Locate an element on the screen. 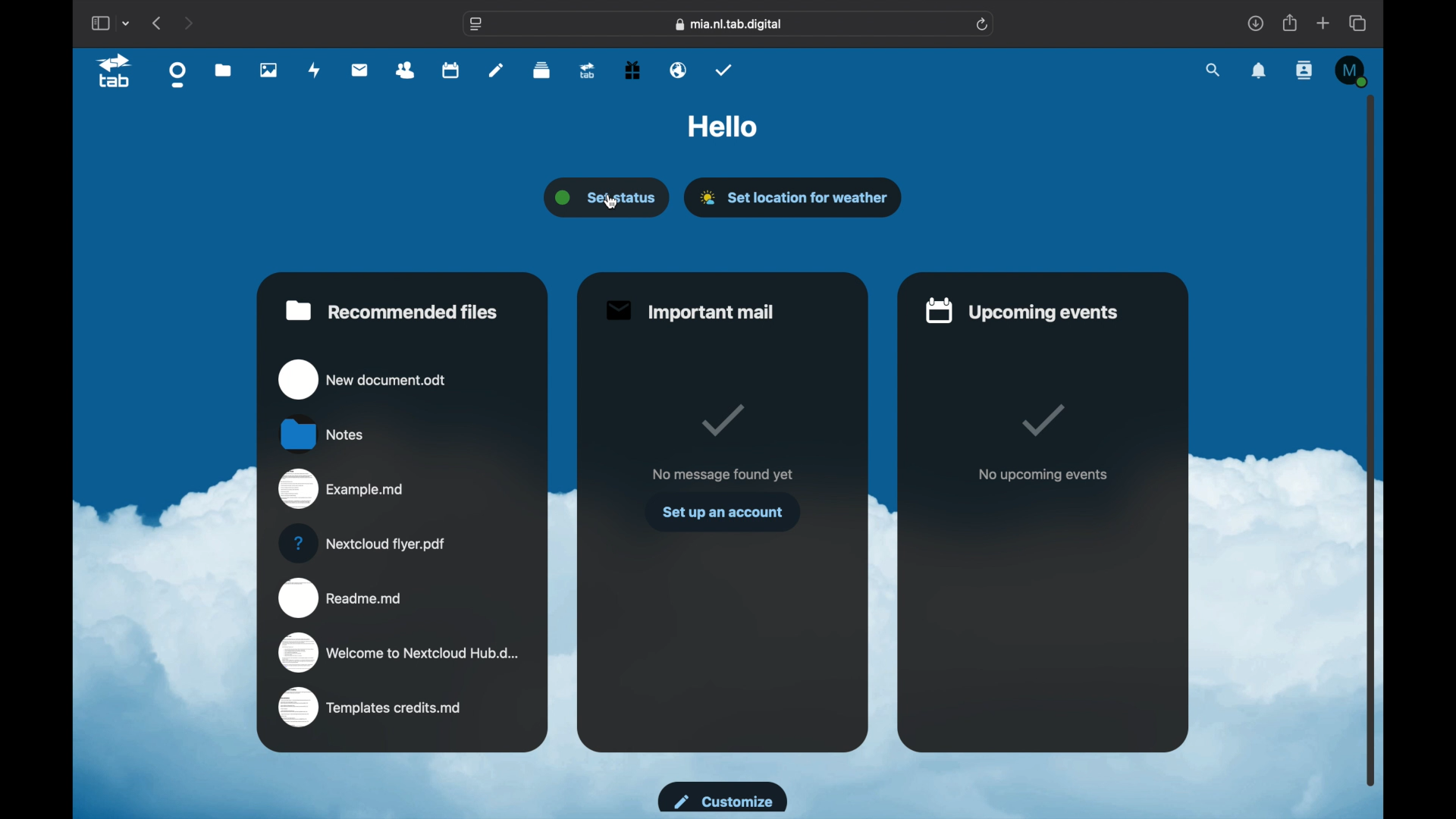  new document is located at coordinates (364, 378).